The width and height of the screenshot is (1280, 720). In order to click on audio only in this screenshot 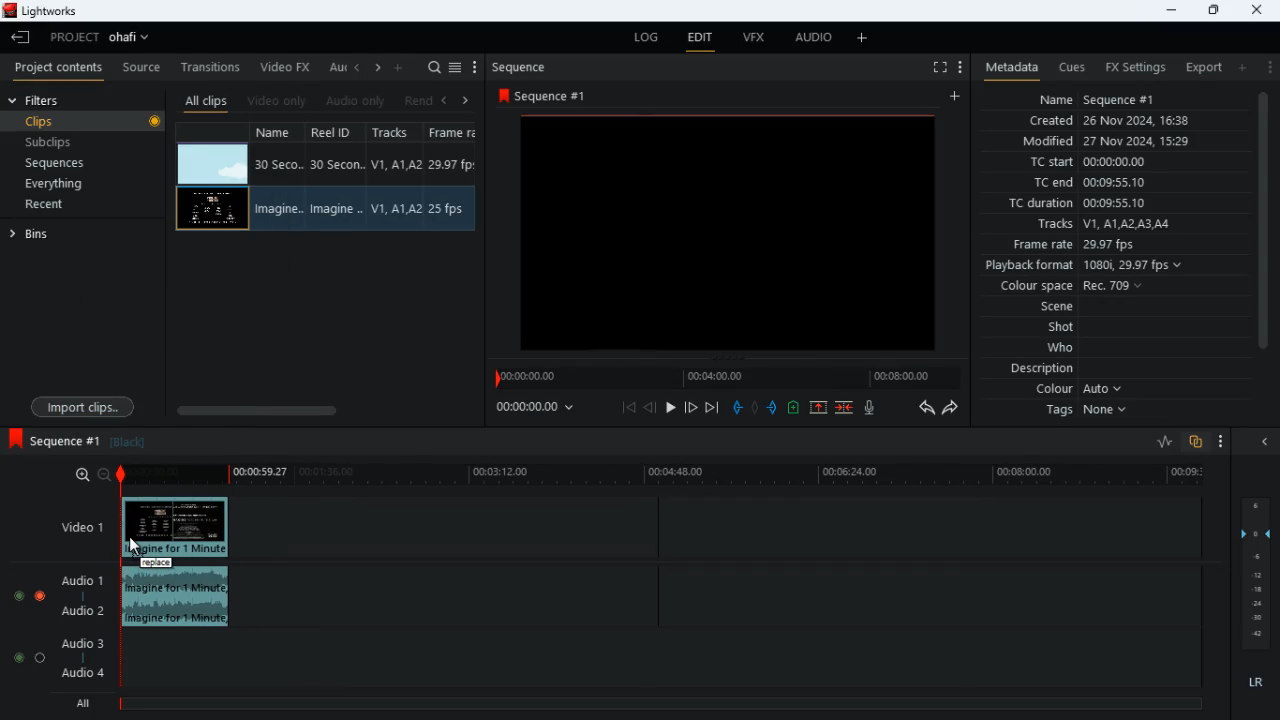, I will do `click(357, 101)`.